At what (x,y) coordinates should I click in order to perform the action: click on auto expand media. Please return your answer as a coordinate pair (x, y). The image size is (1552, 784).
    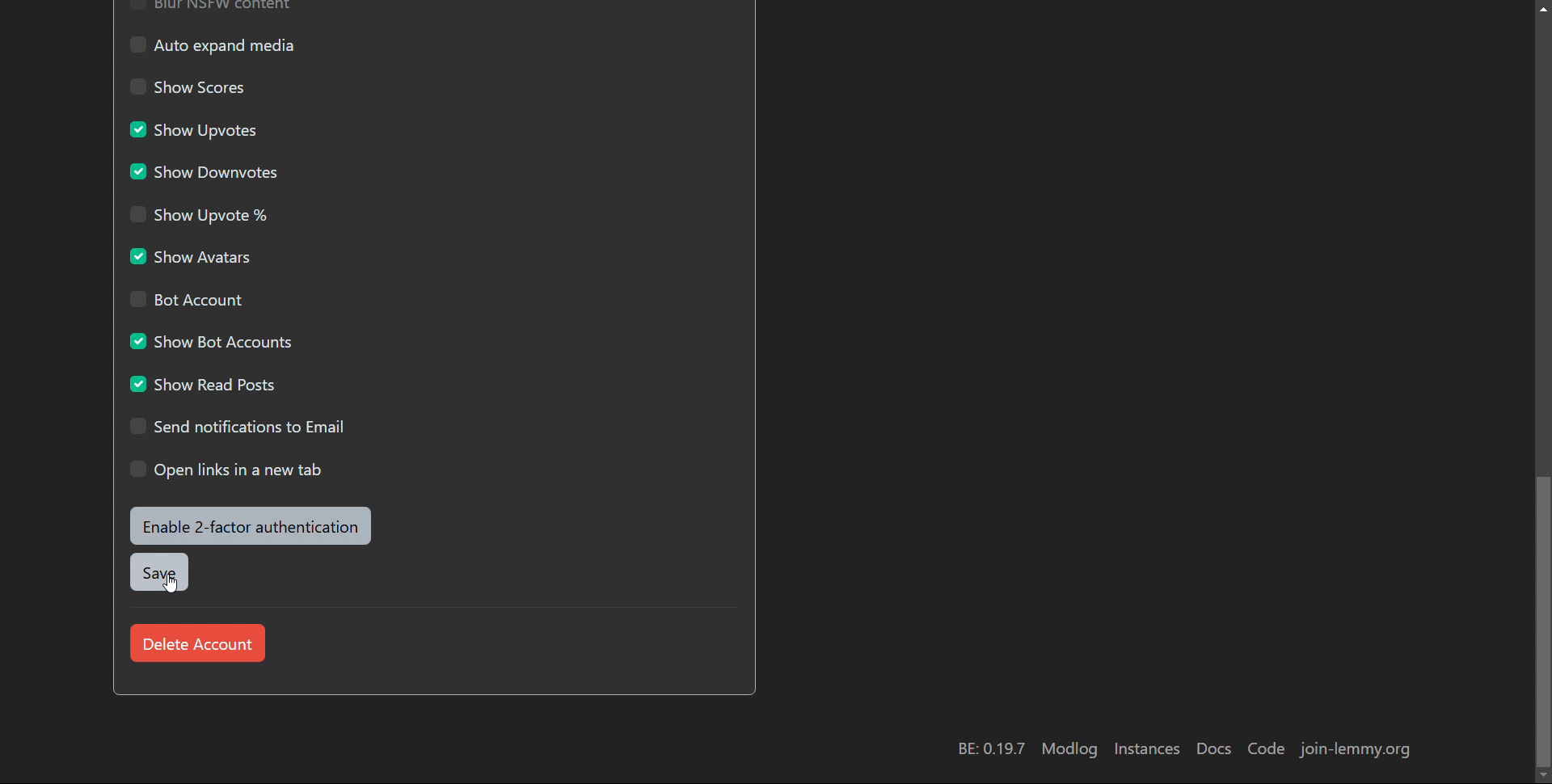
    Looking at the image, I should click on (213, 44).